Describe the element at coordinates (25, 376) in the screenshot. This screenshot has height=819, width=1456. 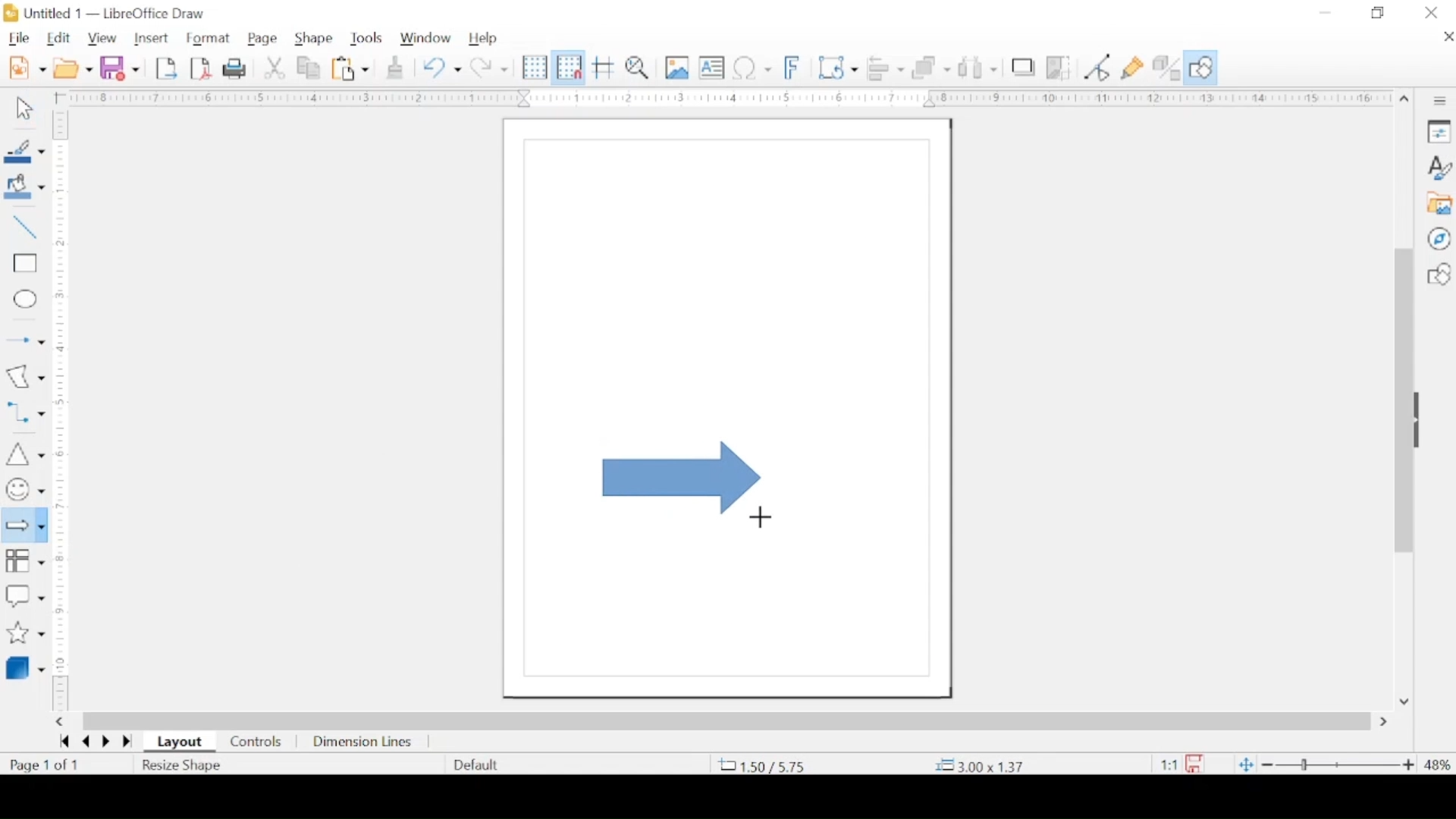
I see `insert curves & polygons` at that location.